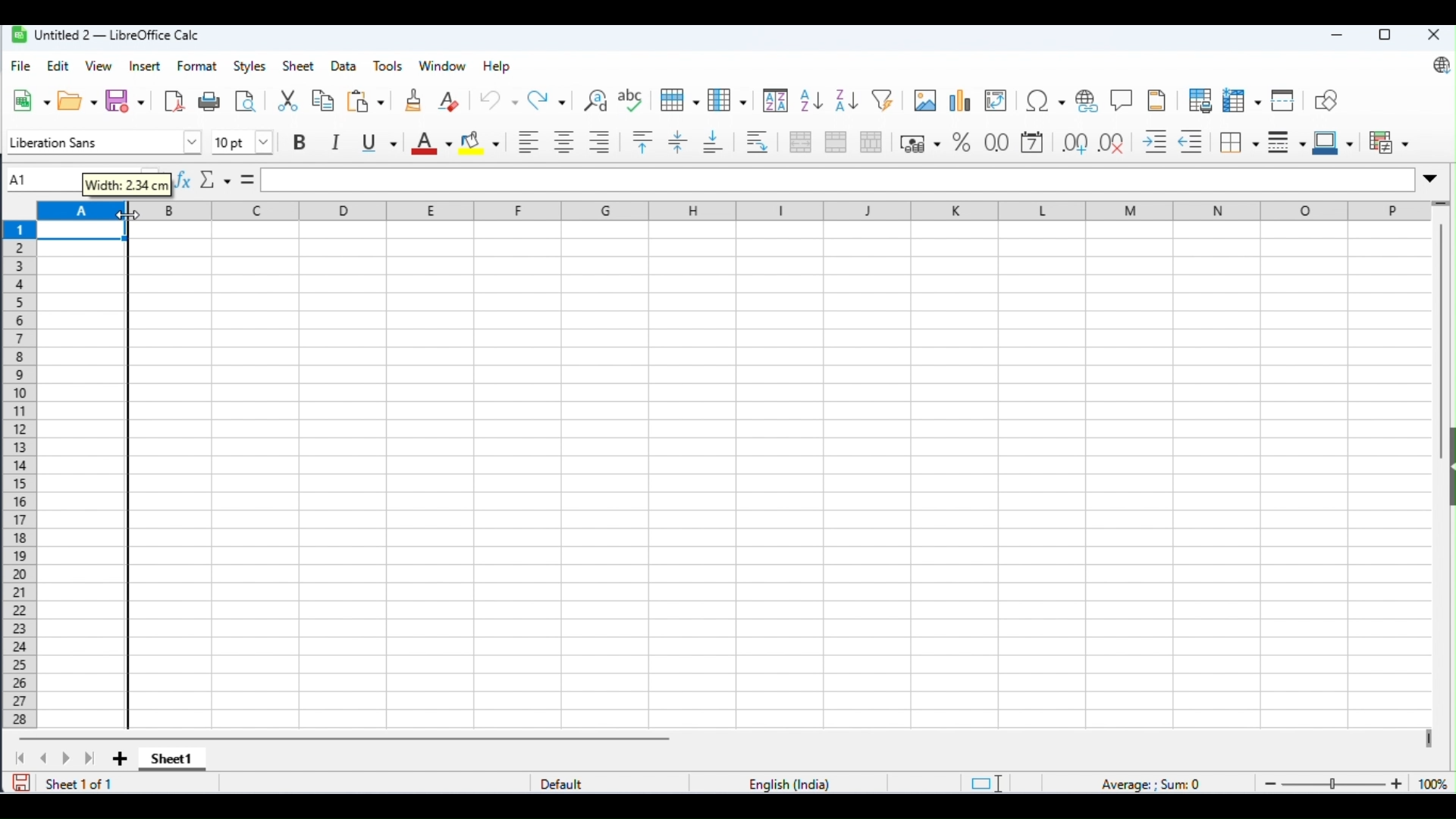 The image size is (1456, 819). I want to click on underline, so click(378, 140).